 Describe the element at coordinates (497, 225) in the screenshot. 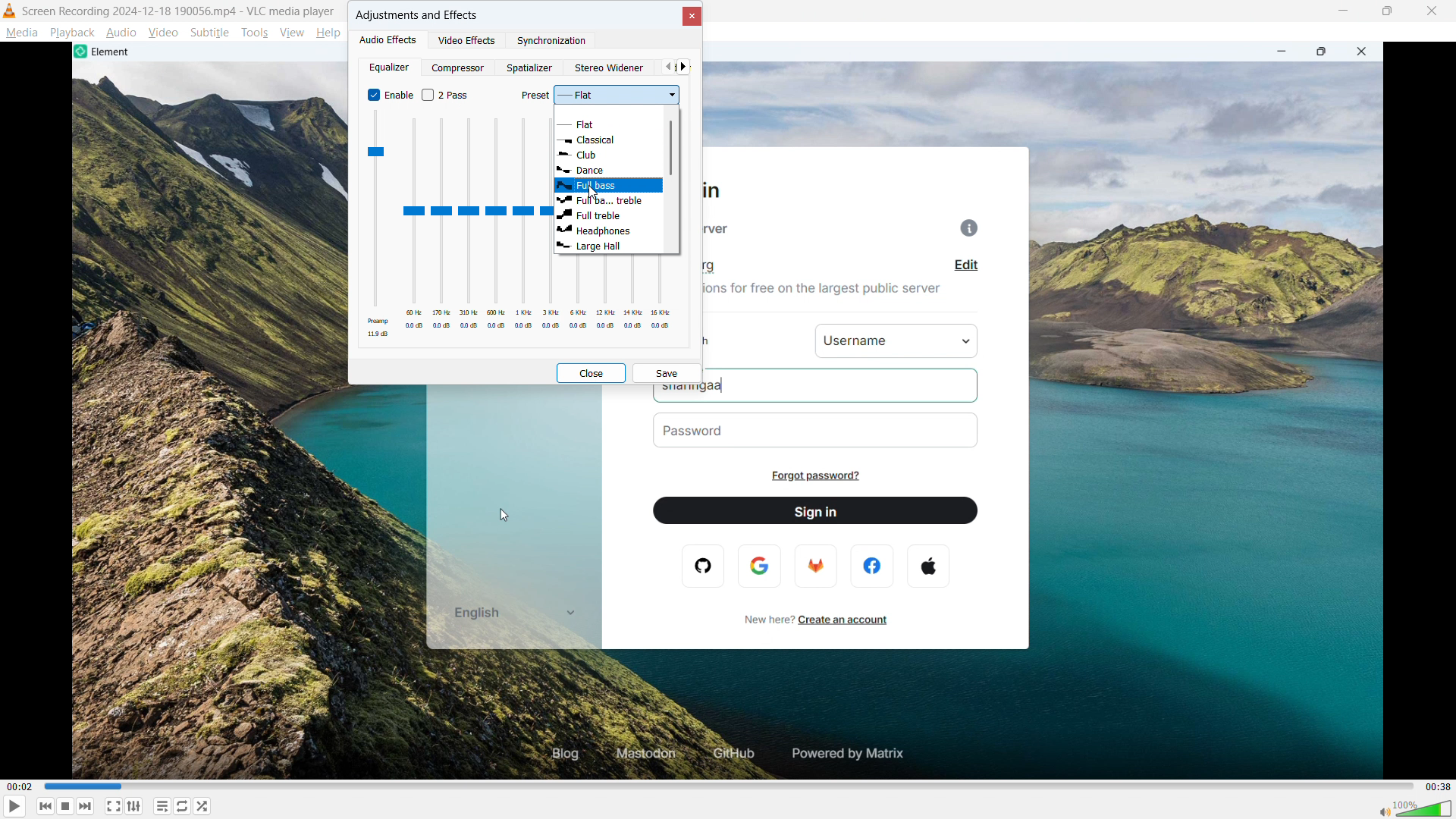

I see `Adjust 500 Hertz ` at that location.